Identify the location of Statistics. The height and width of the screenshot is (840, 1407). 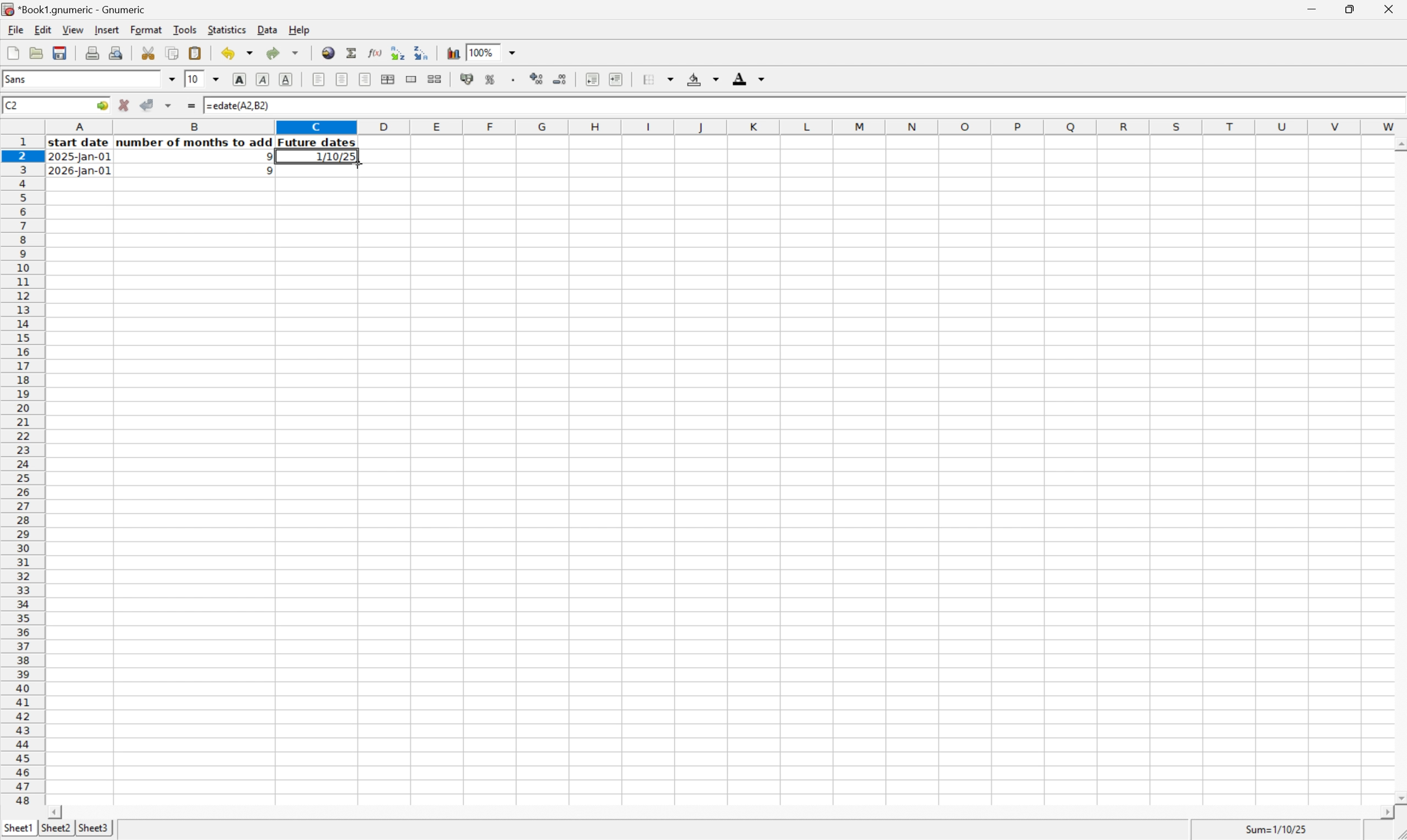
(227, 28).